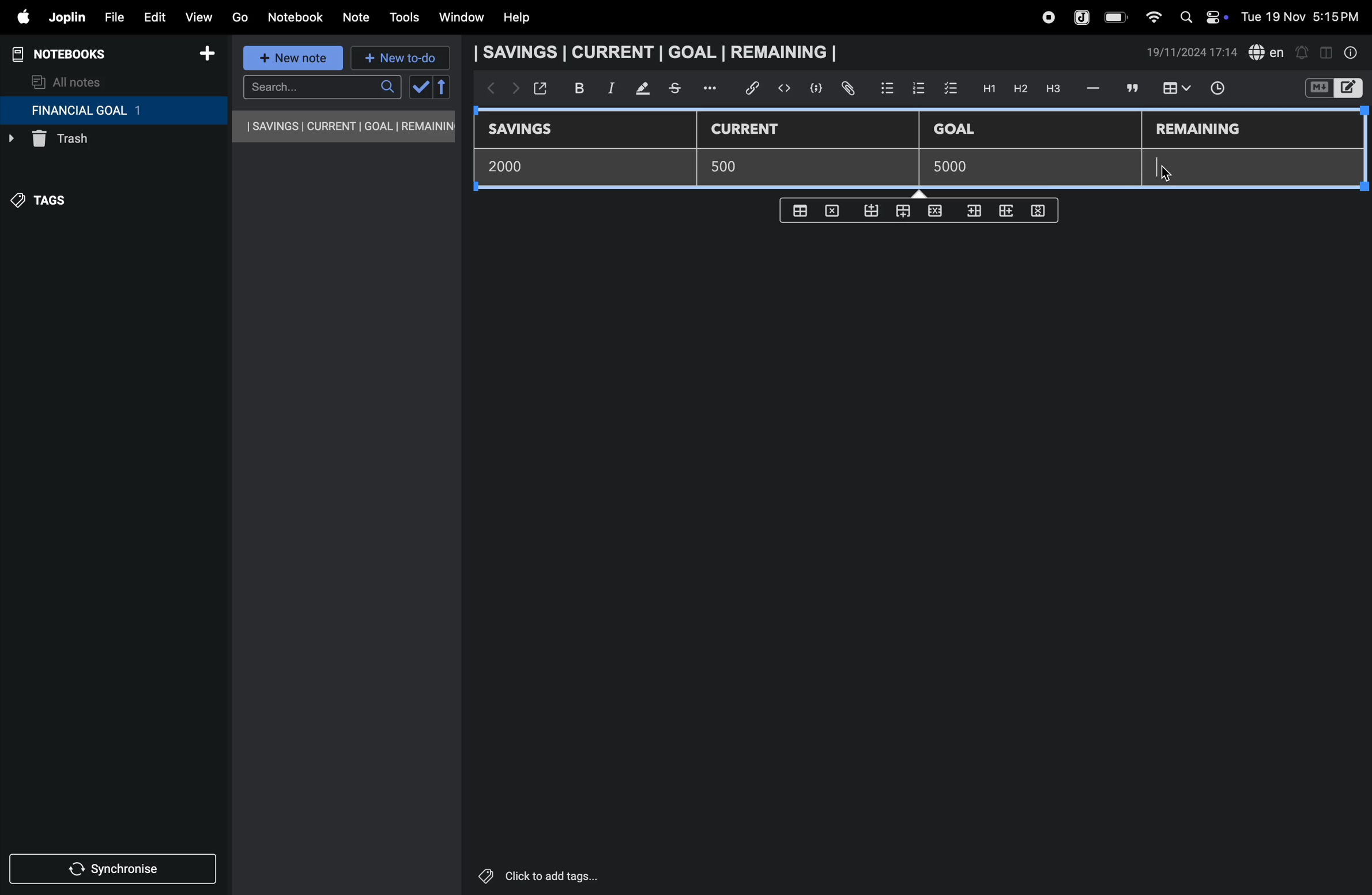  I want to click on joplin menu, so click(65, 17).